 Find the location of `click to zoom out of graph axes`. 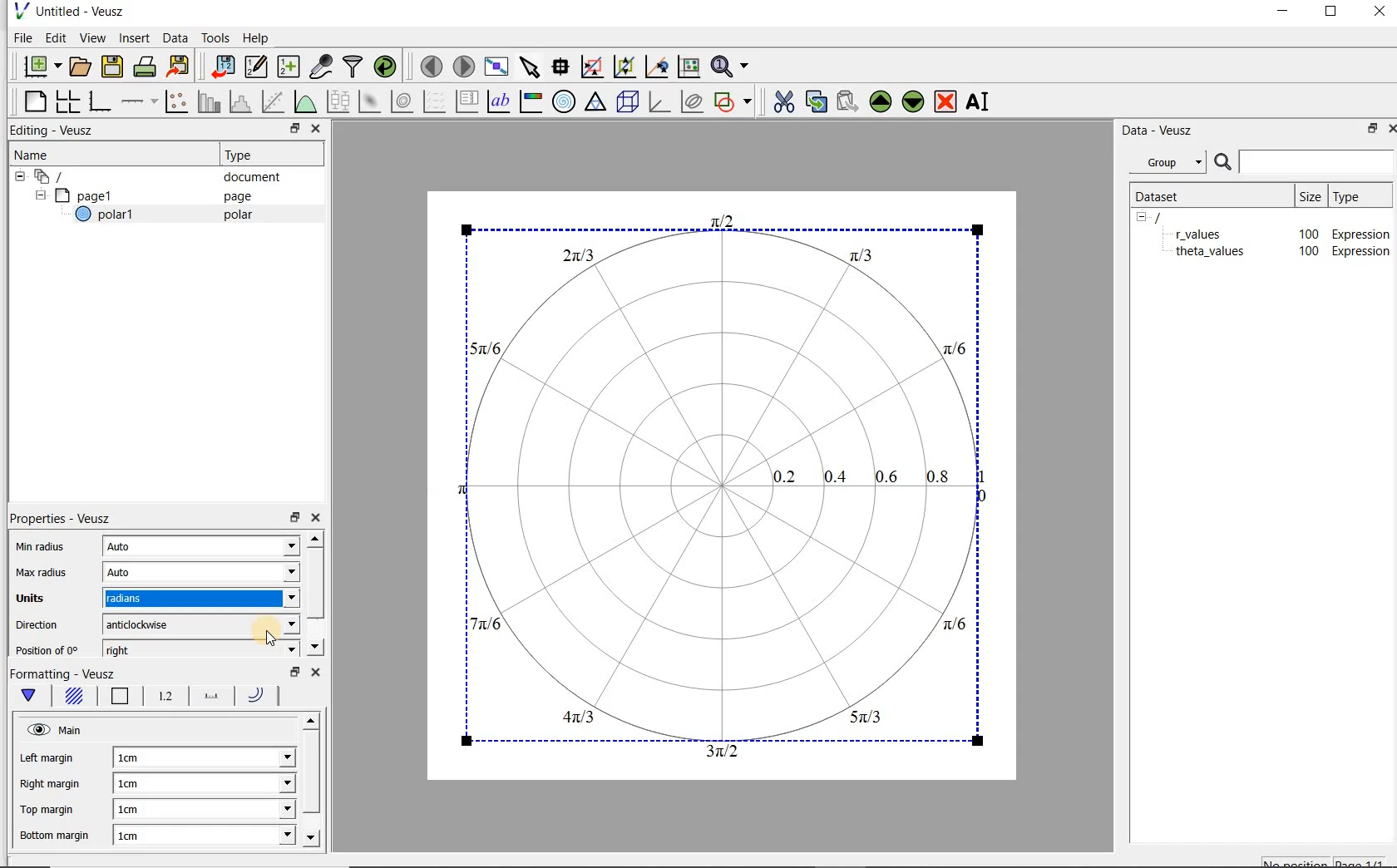

click to zoom out of graph axes is located at coordinates (625, 67).